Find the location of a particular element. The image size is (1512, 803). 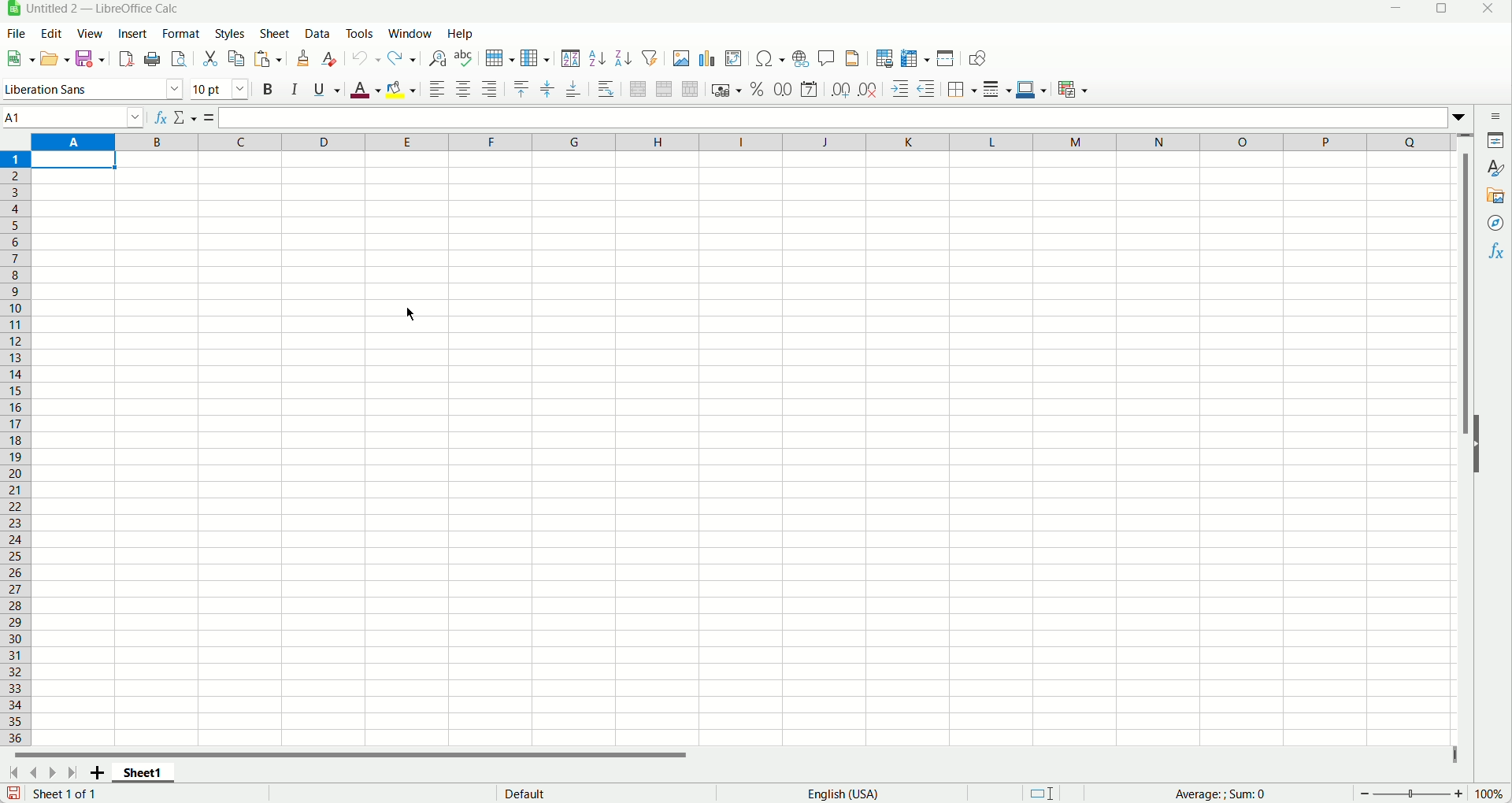

Format as percent is located at coordinates (758, 89).